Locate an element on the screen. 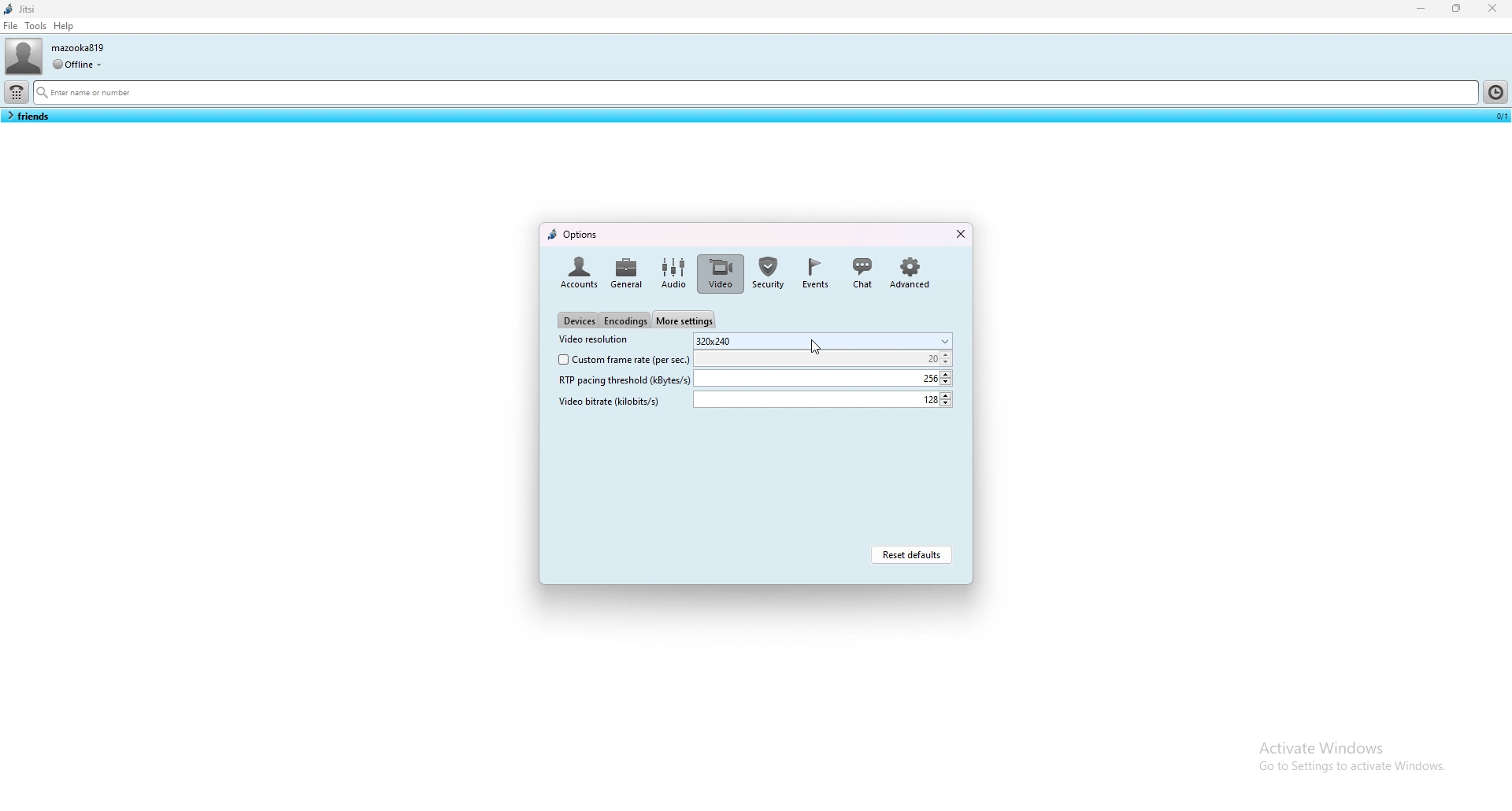 This screenshot has width=1512, height=811. Devices is located at coordinates (578, 320).